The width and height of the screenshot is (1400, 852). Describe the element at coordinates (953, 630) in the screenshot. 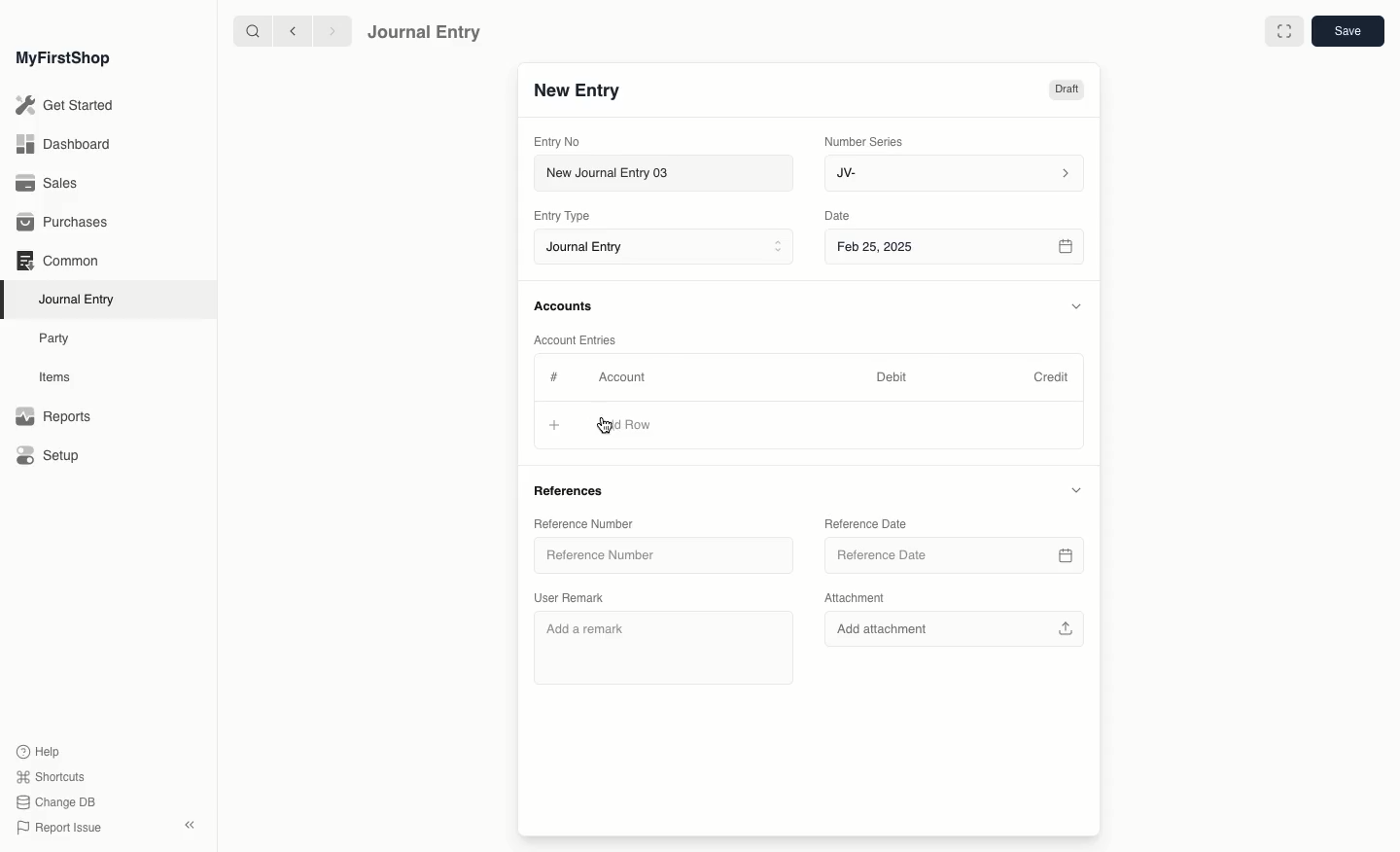

I see `Add attachment` at that location.